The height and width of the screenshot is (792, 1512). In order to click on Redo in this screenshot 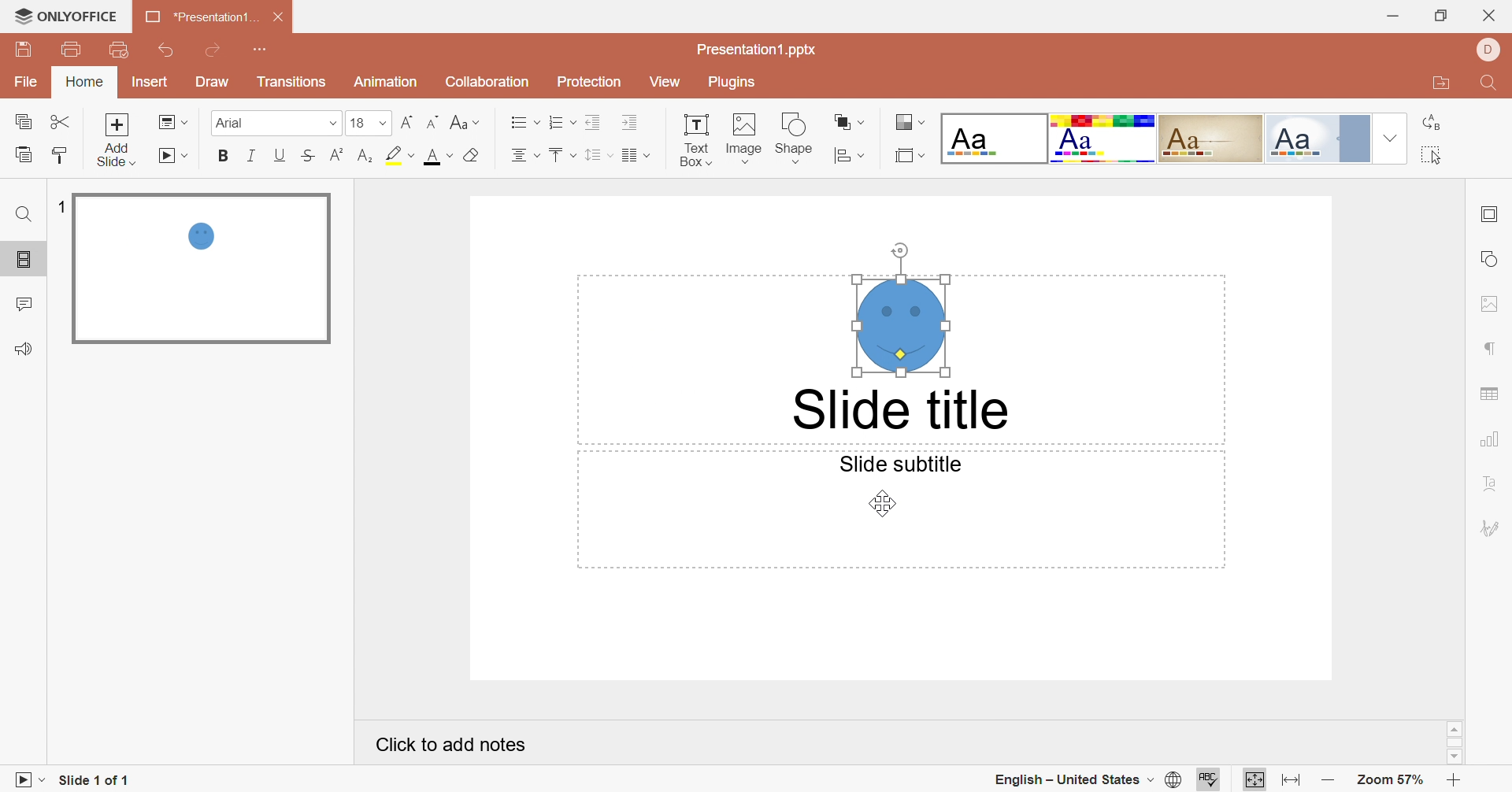, I will do `click(216, 50)`.